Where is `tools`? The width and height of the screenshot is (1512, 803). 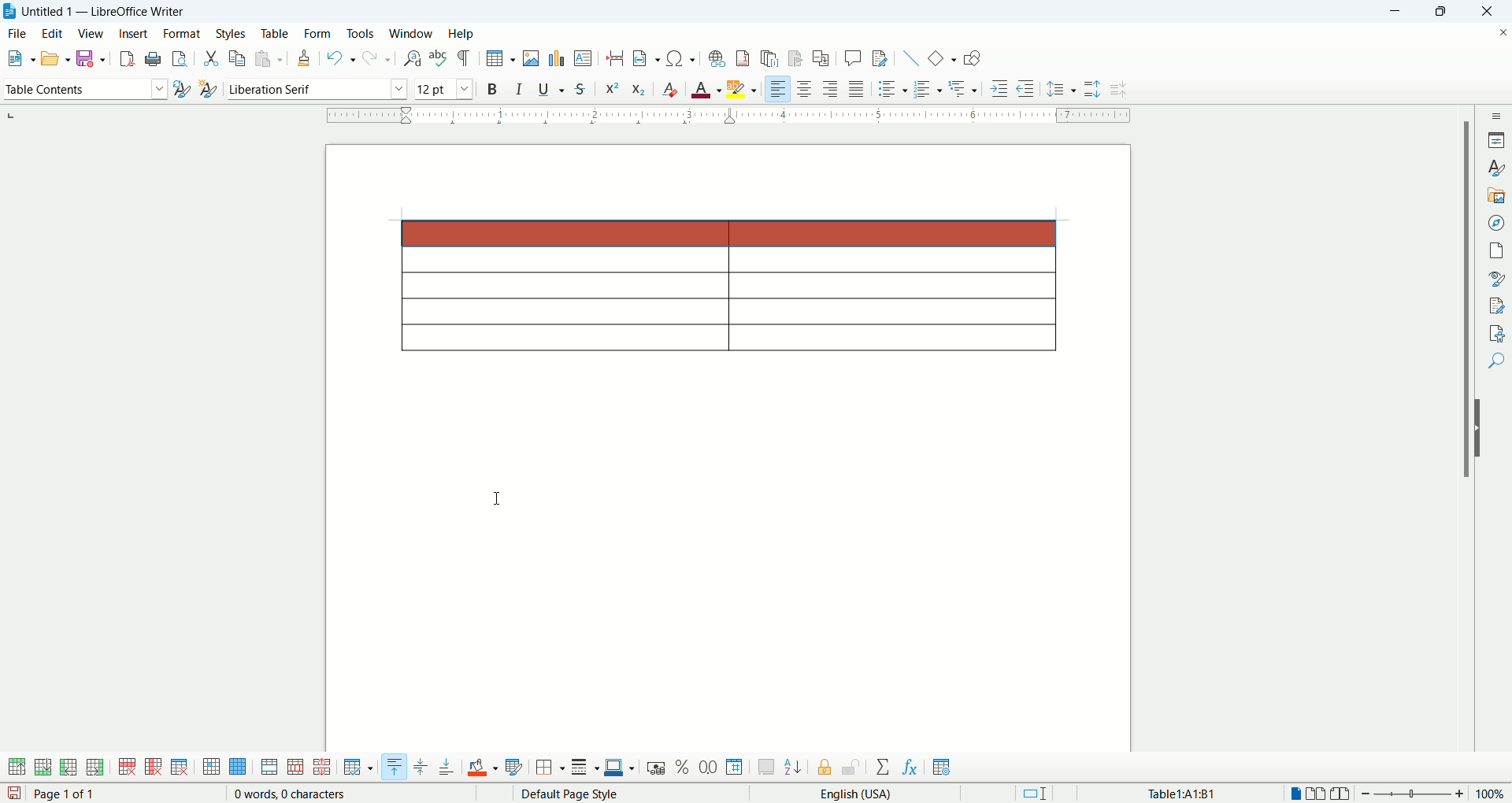
tools is located at coordinates (362, 33).